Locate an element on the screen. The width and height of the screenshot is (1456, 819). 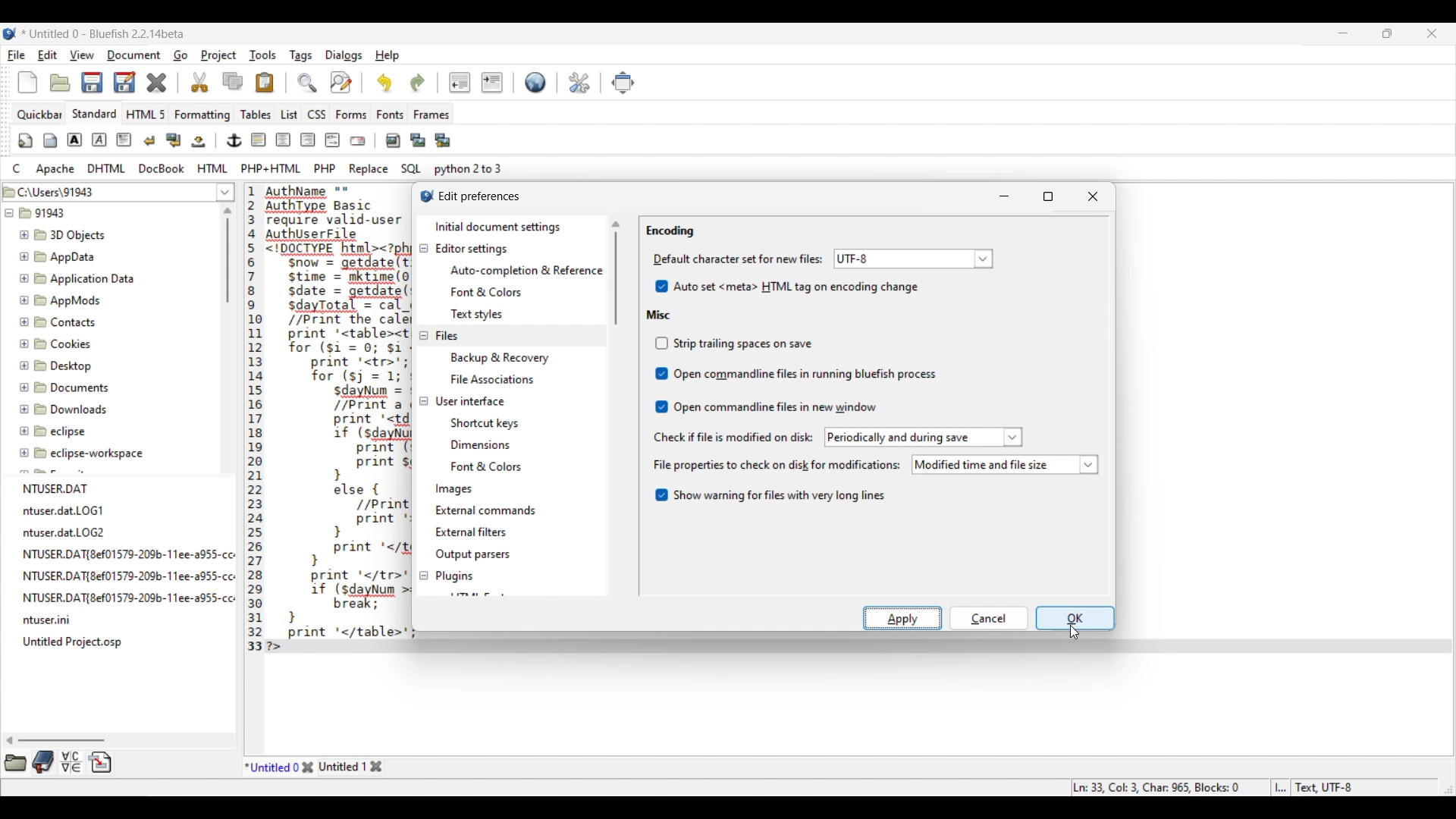
Apply highlighted is located at coordinates (902, 618).